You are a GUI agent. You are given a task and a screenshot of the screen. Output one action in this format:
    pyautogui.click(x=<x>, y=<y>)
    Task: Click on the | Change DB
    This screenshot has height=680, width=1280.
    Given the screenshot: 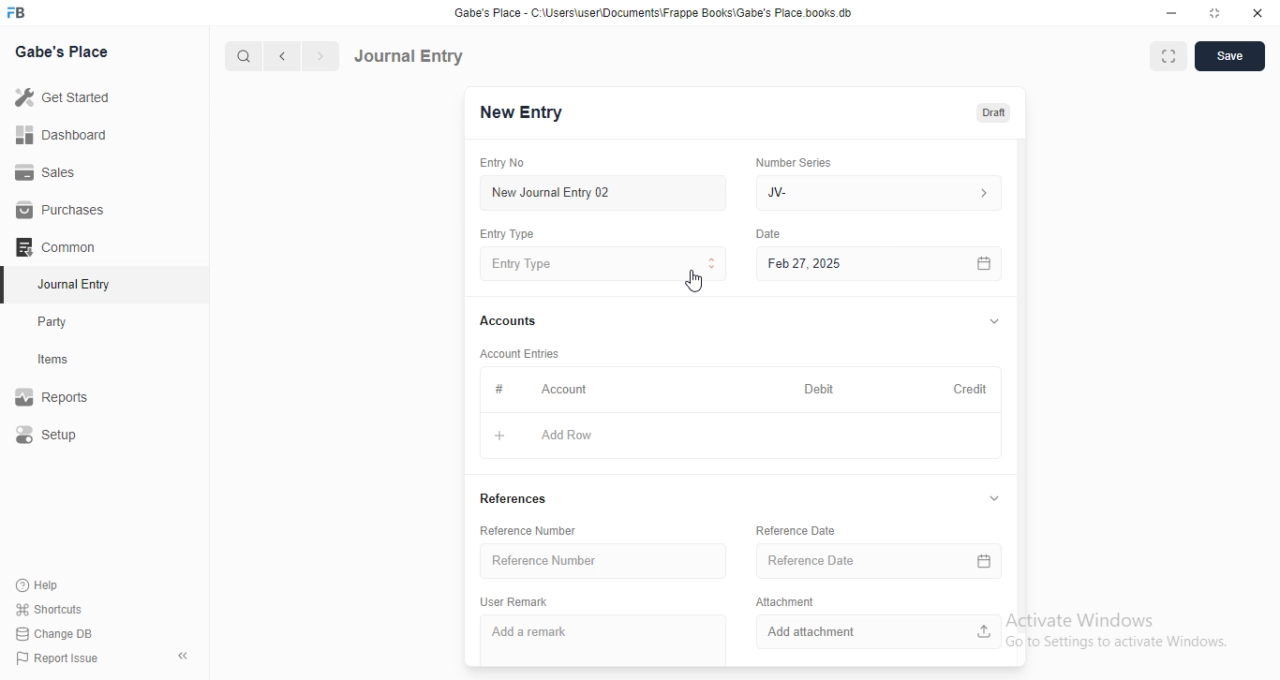 What is the action you would take?
    pyautogui.click(x=55, y=632)
    